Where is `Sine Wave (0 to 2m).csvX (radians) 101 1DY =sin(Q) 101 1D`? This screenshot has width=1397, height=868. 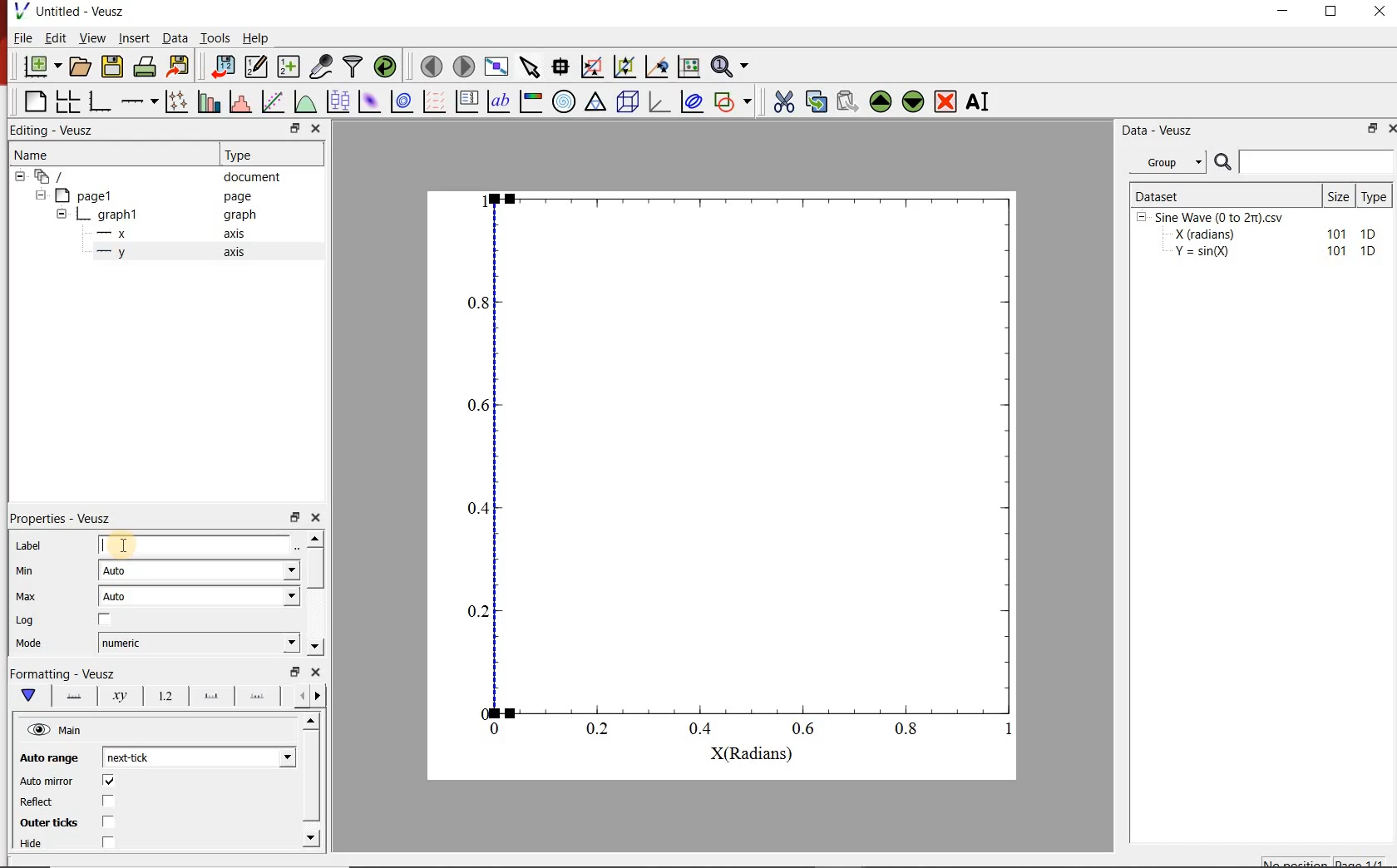 Sine Wave (0 to 2m).csvX (radians) 101 1DY =sin(Q) 101 1D is located at coordinates (1258, 239).